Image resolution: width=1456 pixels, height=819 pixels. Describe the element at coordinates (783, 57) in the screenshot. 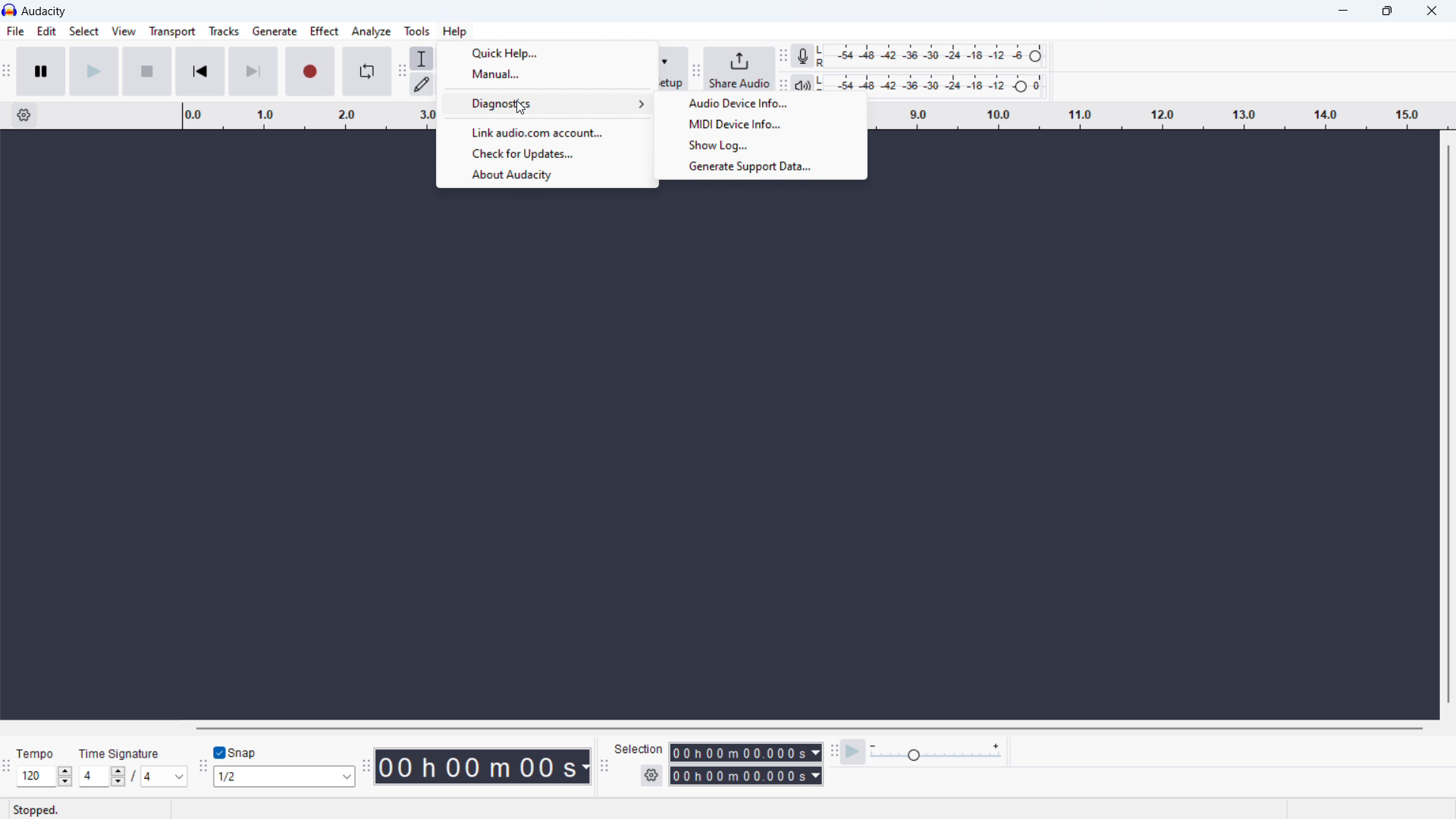

I see `recording meter toolbar` at that location.